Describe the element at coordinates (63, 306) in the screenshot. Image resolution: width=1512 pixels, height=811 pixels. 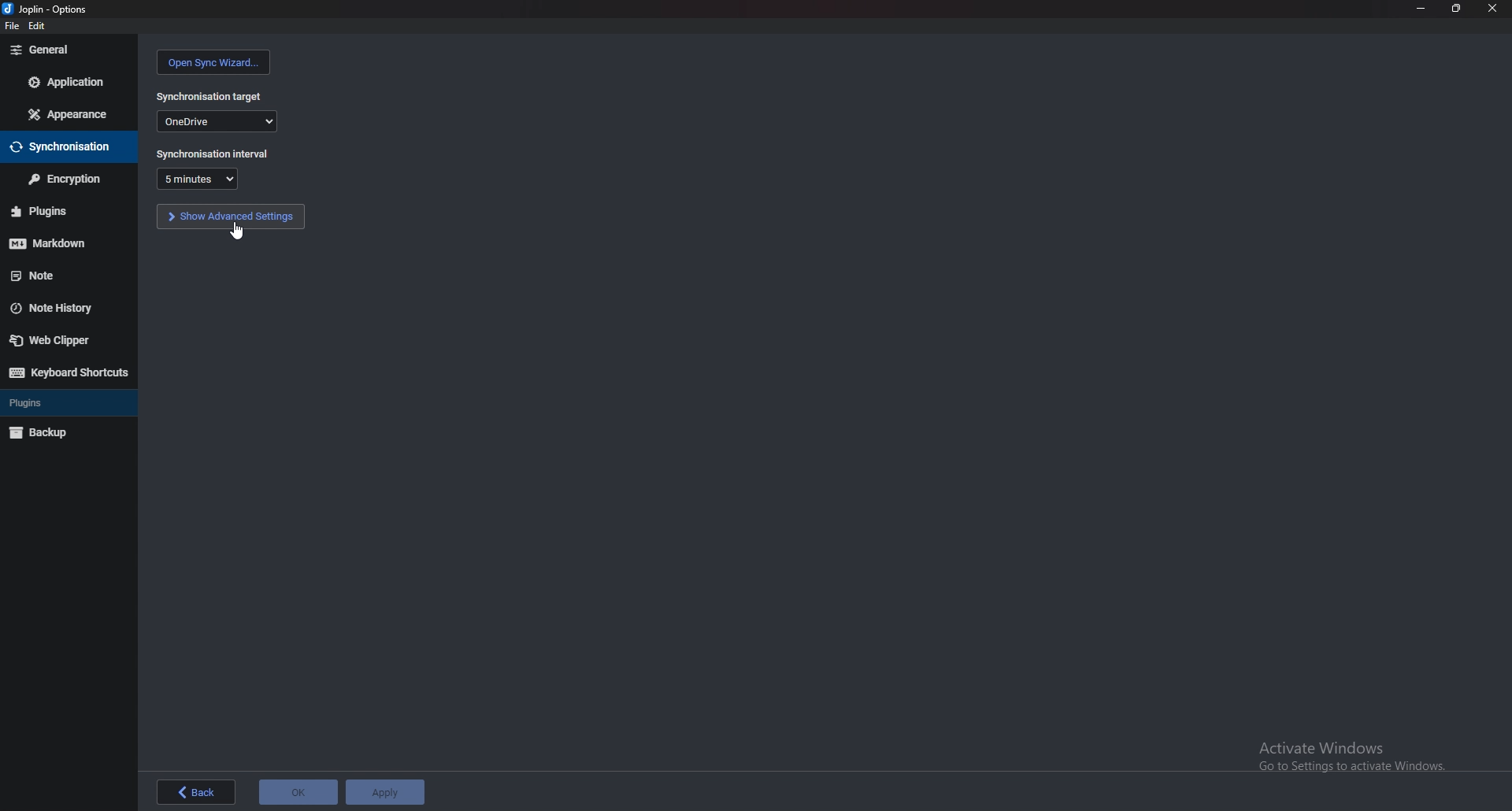
I see `note history` at that location.